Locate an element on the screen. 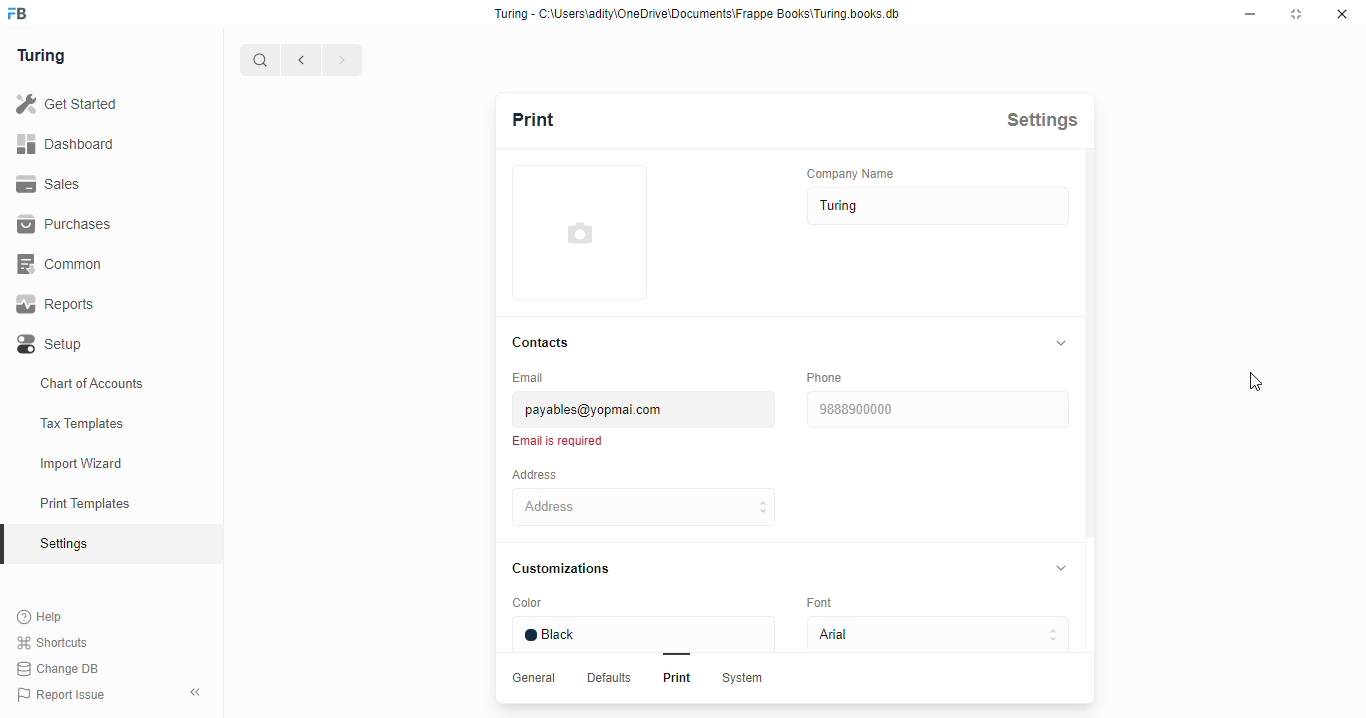 Image resolution: width=1366 pixels, height=718 pixels. Print Templates is located at coordinates (106, 503).